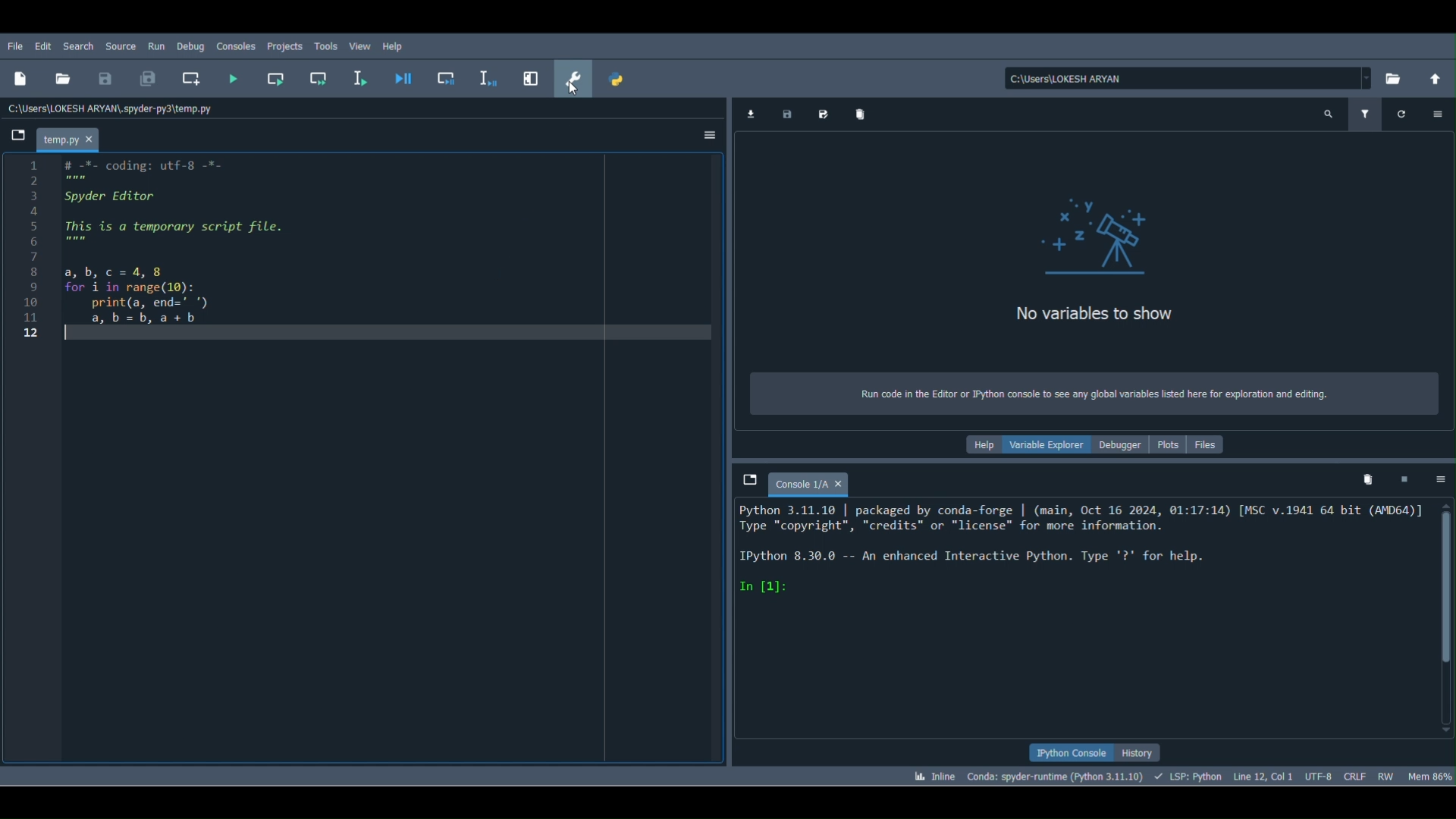 The width and height of the screenshot is (1456, 819). I want to click on Tools, so click(326, 45).